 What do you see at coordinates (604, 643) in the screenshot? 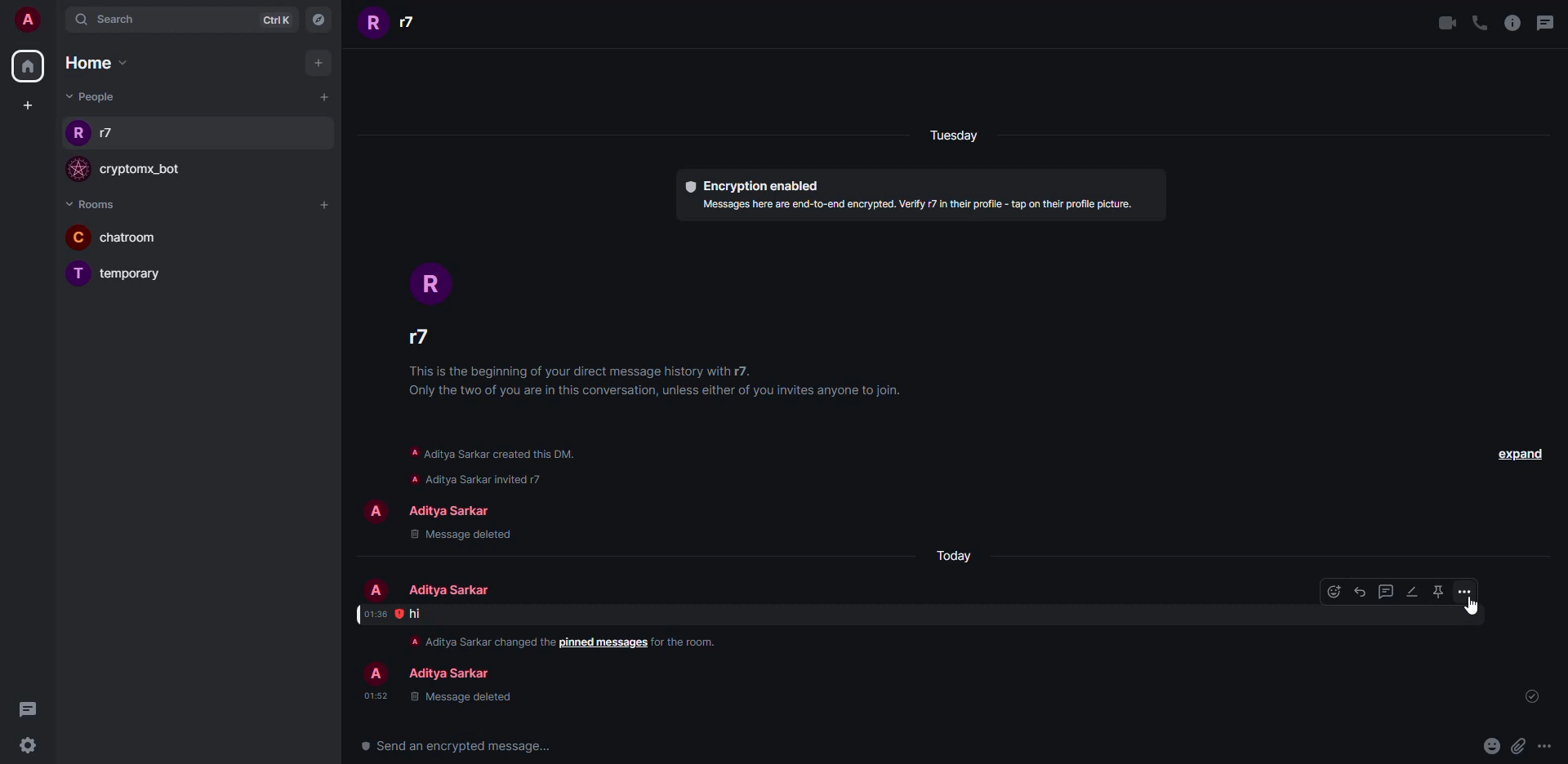
I see `pinned message` at bounding box center [604, 643].